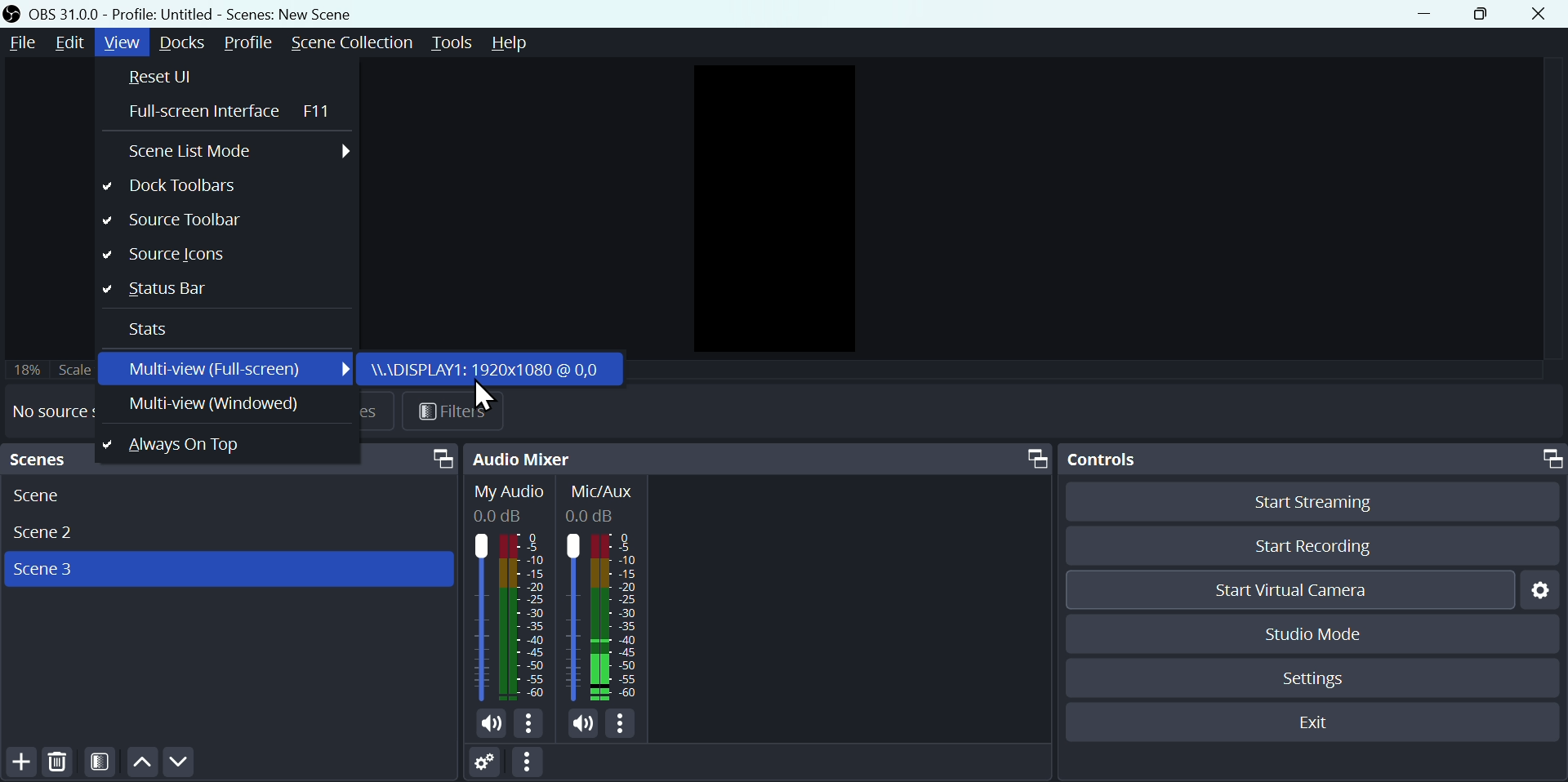 This screenshot has height=782, width=1568. I want to click on Screen list mode, so click(229, 151).